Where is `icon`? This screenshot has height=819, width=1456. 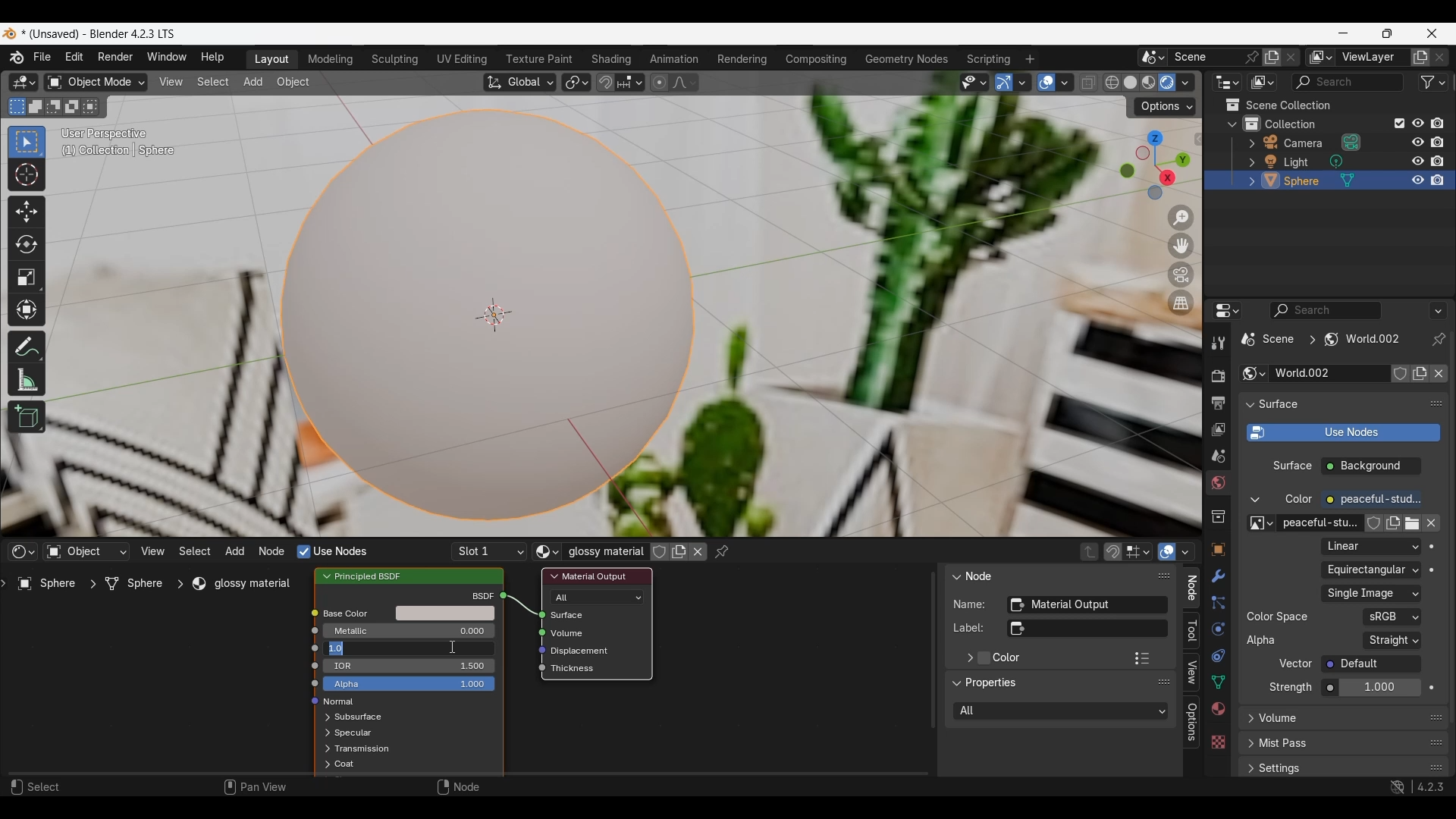
icon is located at coordinates (532, 615).